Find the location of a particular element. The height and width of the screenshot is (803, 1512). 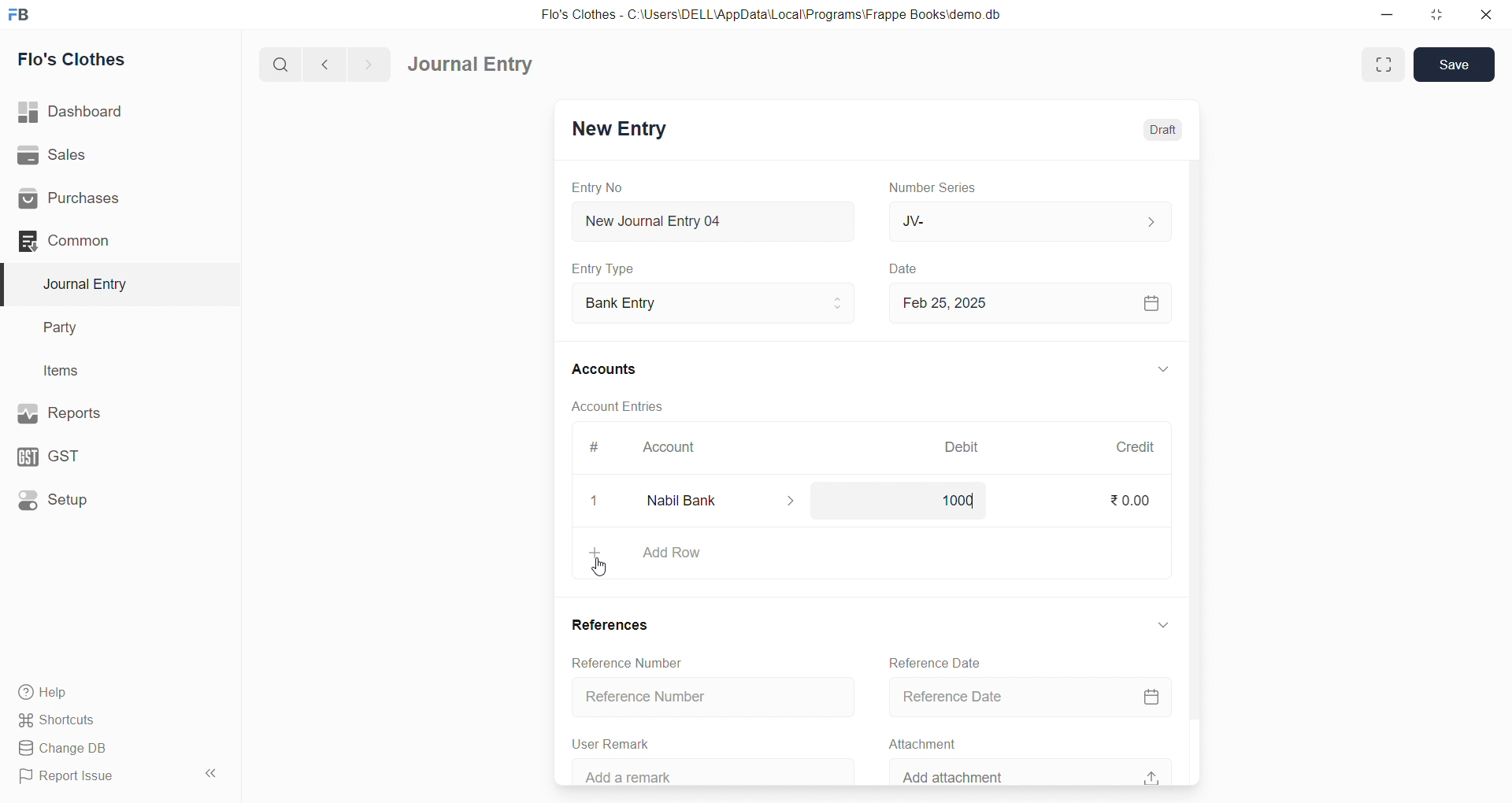

Debit is located at coordinates (962, 449).